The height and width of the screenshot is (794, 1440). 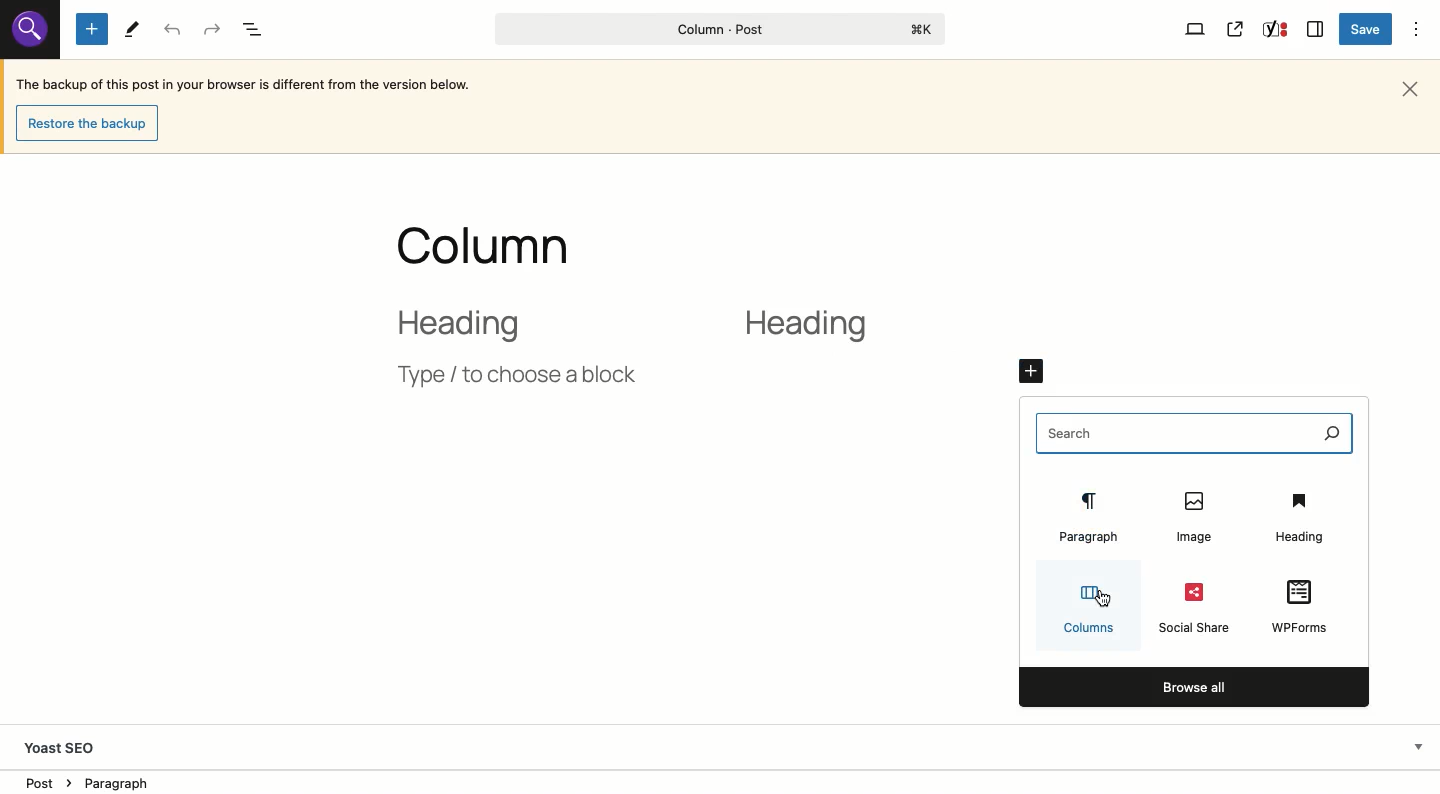 I want to click on Document overview, so click(x=256, y=31).